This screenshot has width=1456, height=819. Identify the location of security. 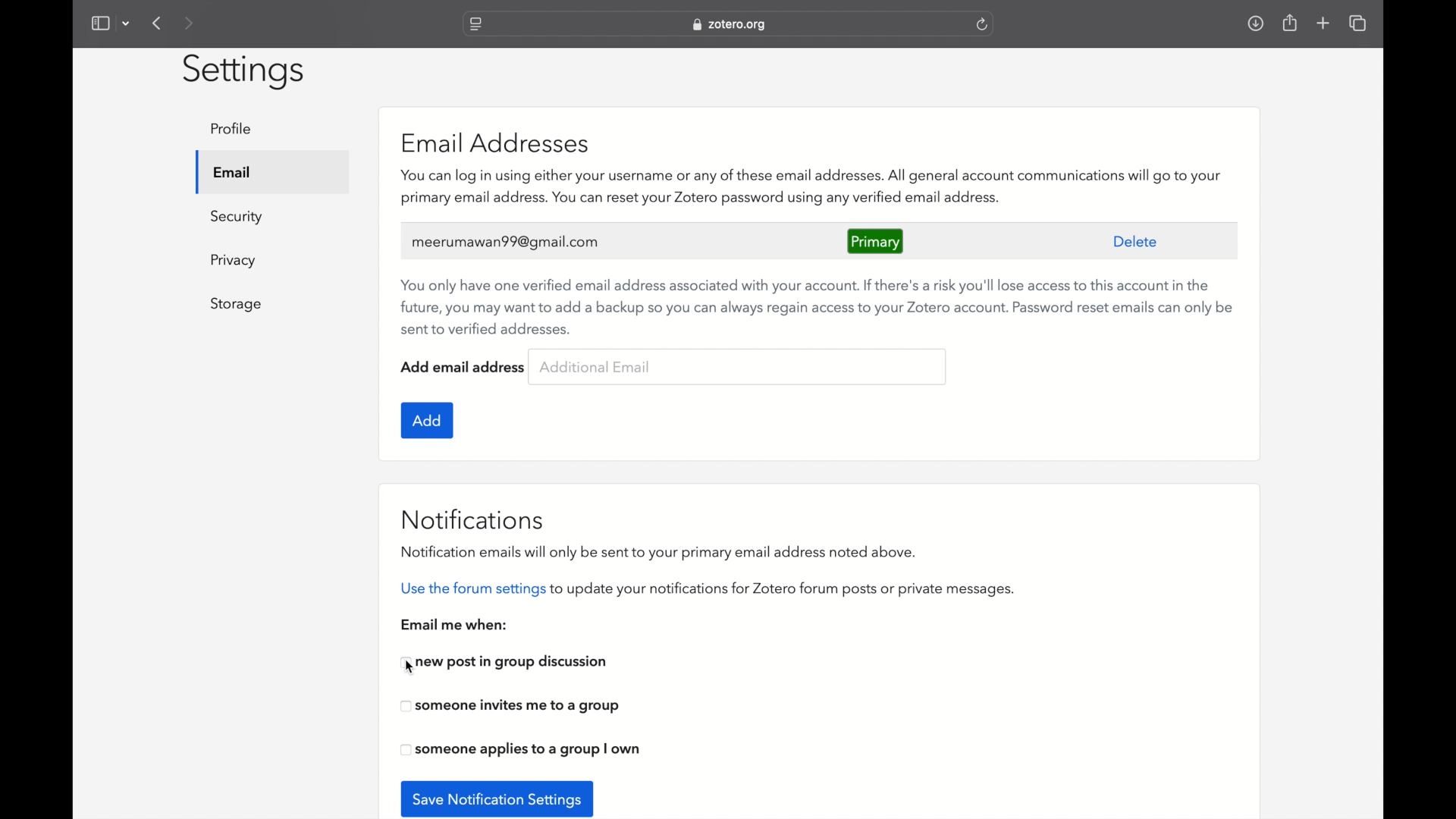
(237, 216).